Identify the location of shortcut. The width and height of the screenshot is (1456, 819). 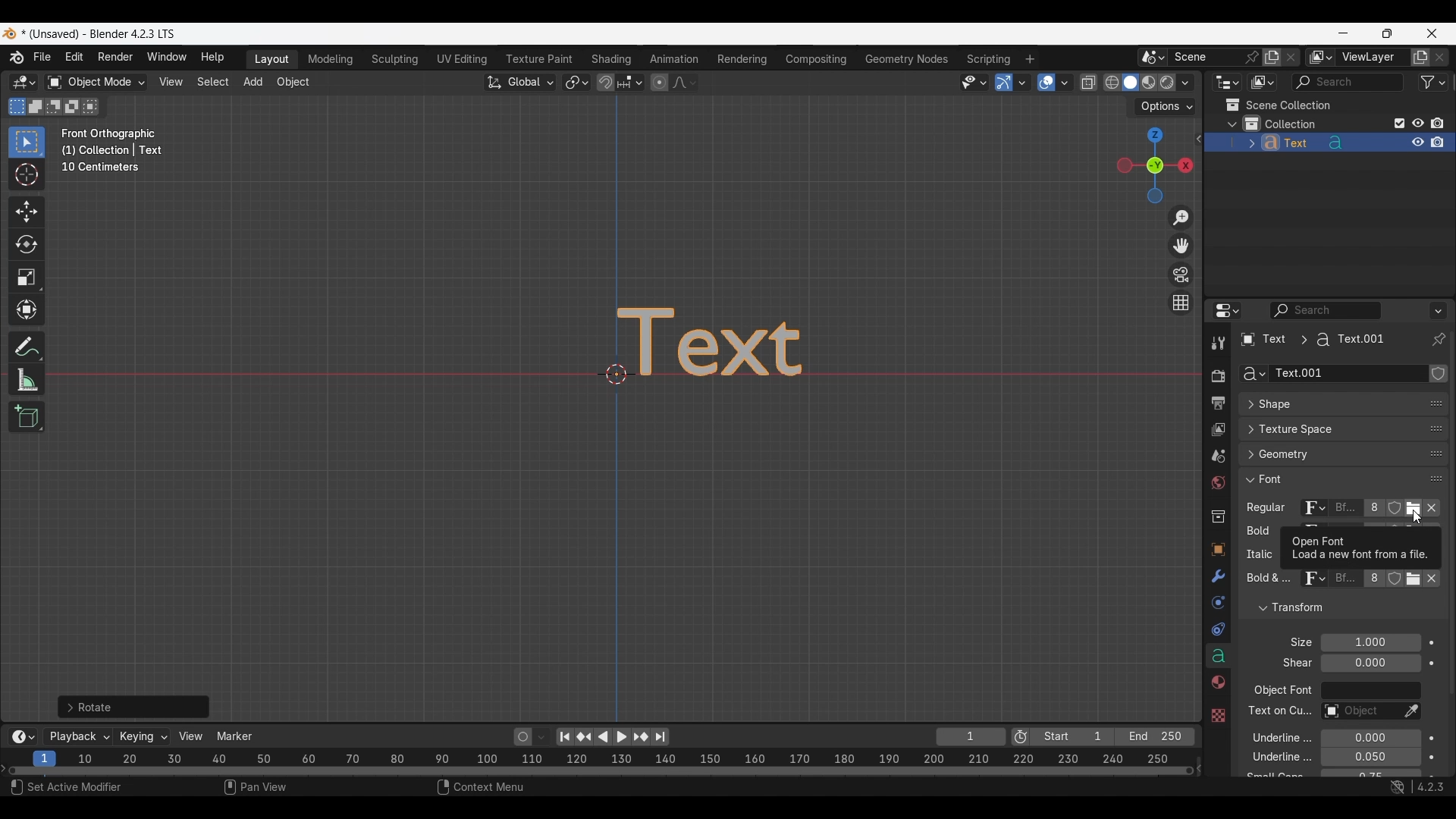
(1414, 788).